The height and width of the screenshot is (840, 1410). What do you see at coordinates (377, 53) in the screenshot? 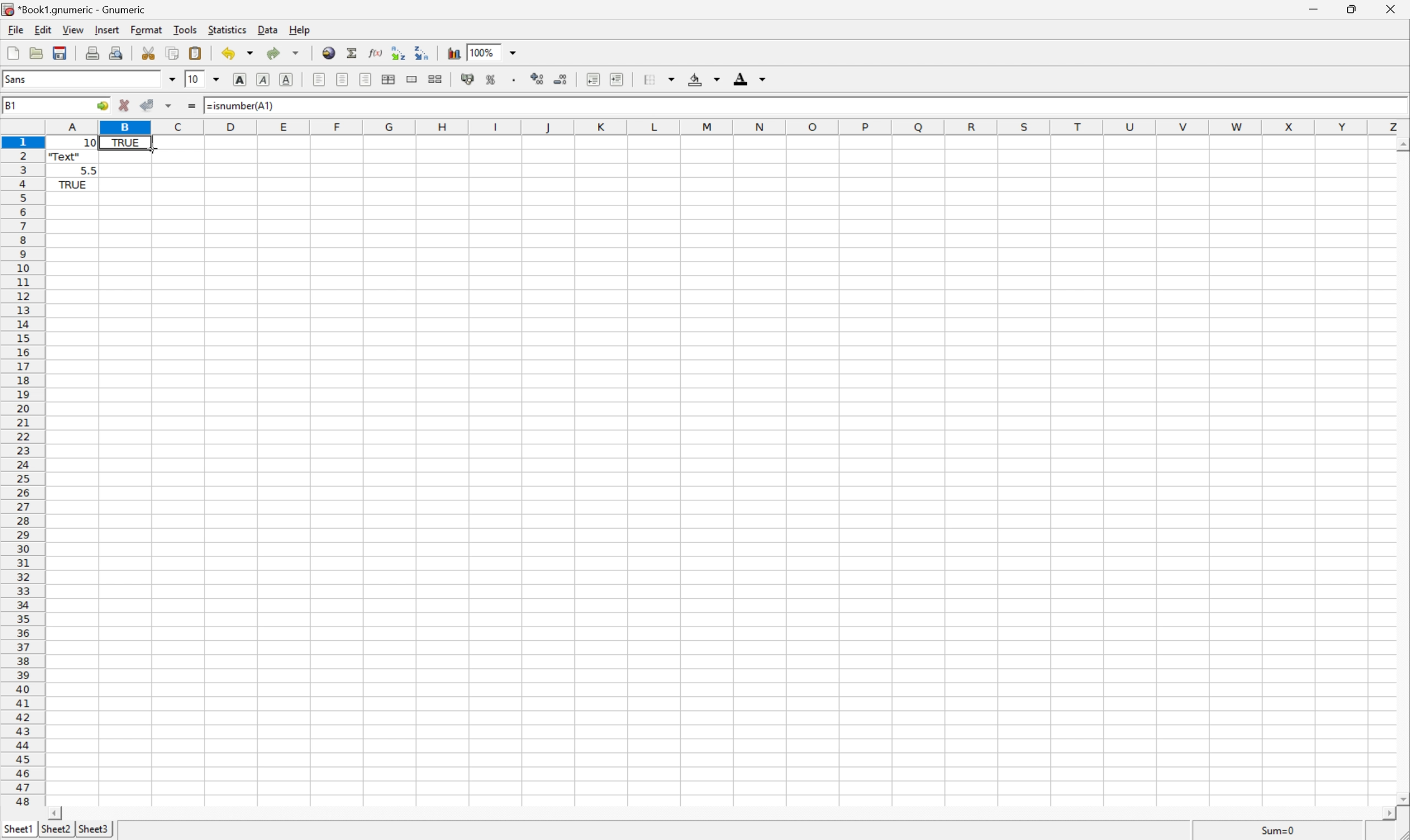
I see `Edit function in current cell` at bounding box center [377, 53].